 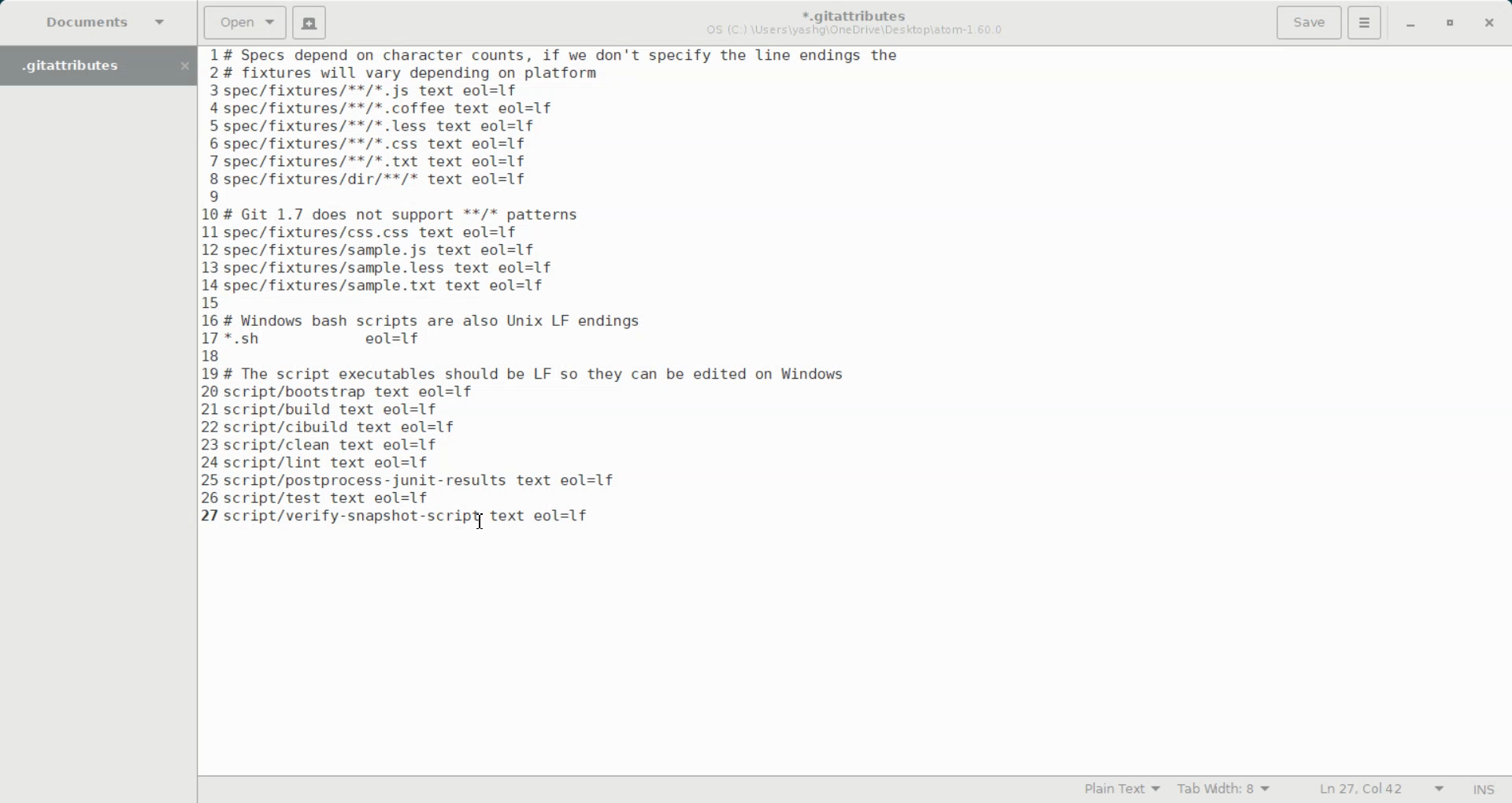 I want to click on text line number, so click(x=213, y=275).